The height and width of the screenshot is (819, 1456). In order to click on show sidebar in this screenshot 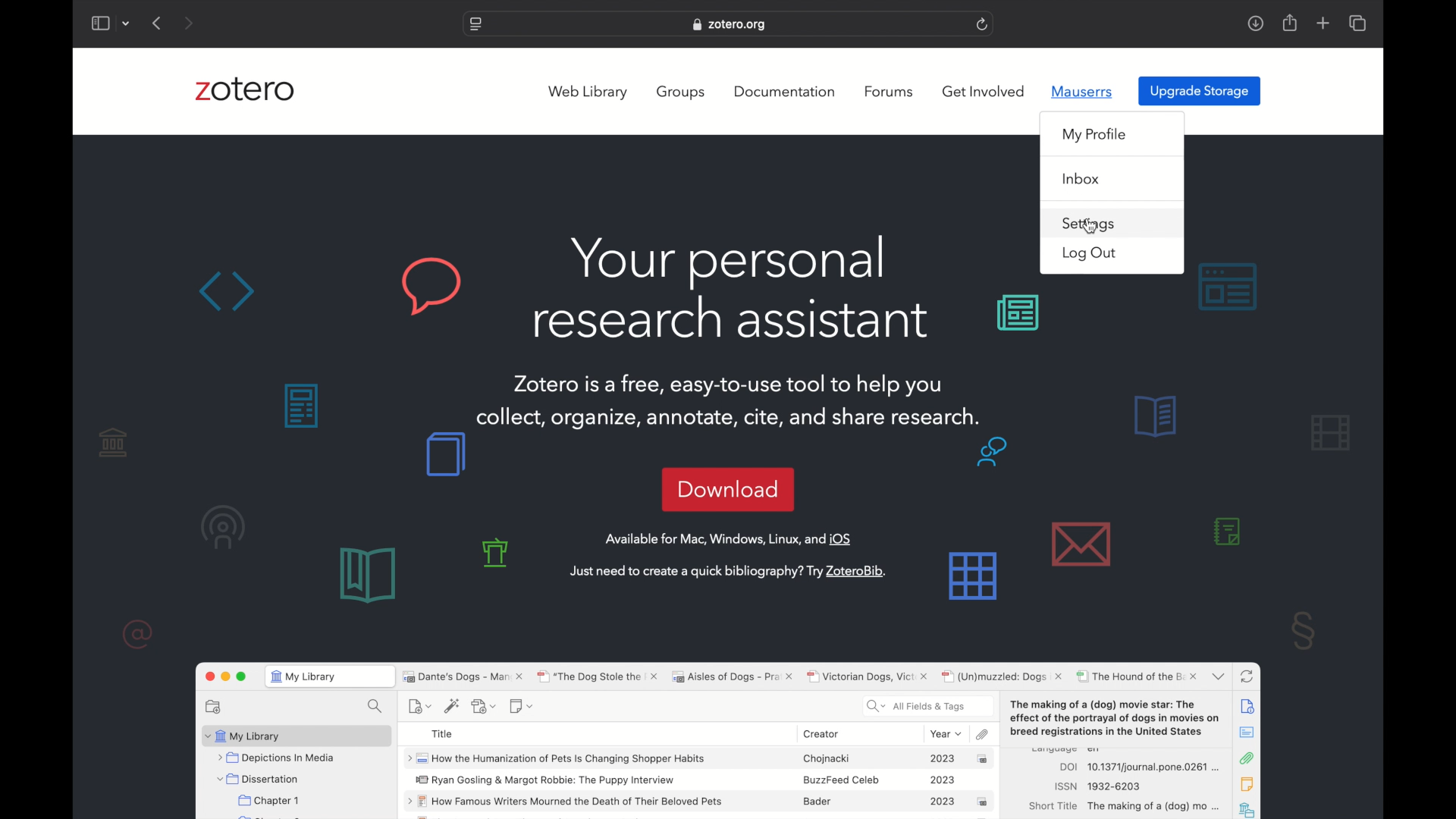, I will do `click(99, 23)`.